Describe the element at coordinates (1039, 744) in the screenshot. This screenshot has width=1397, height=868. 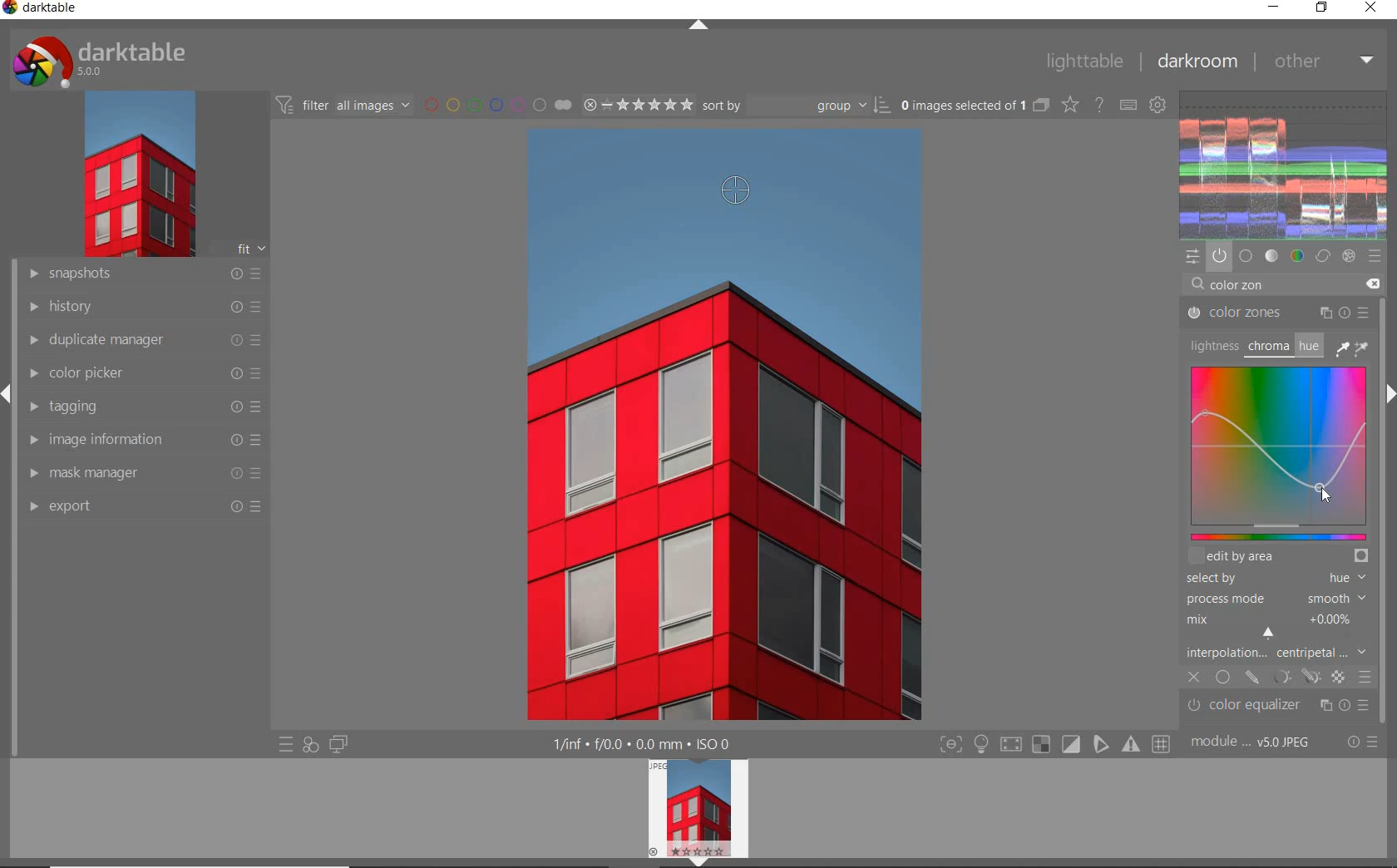
I see `gamut check` at that location.